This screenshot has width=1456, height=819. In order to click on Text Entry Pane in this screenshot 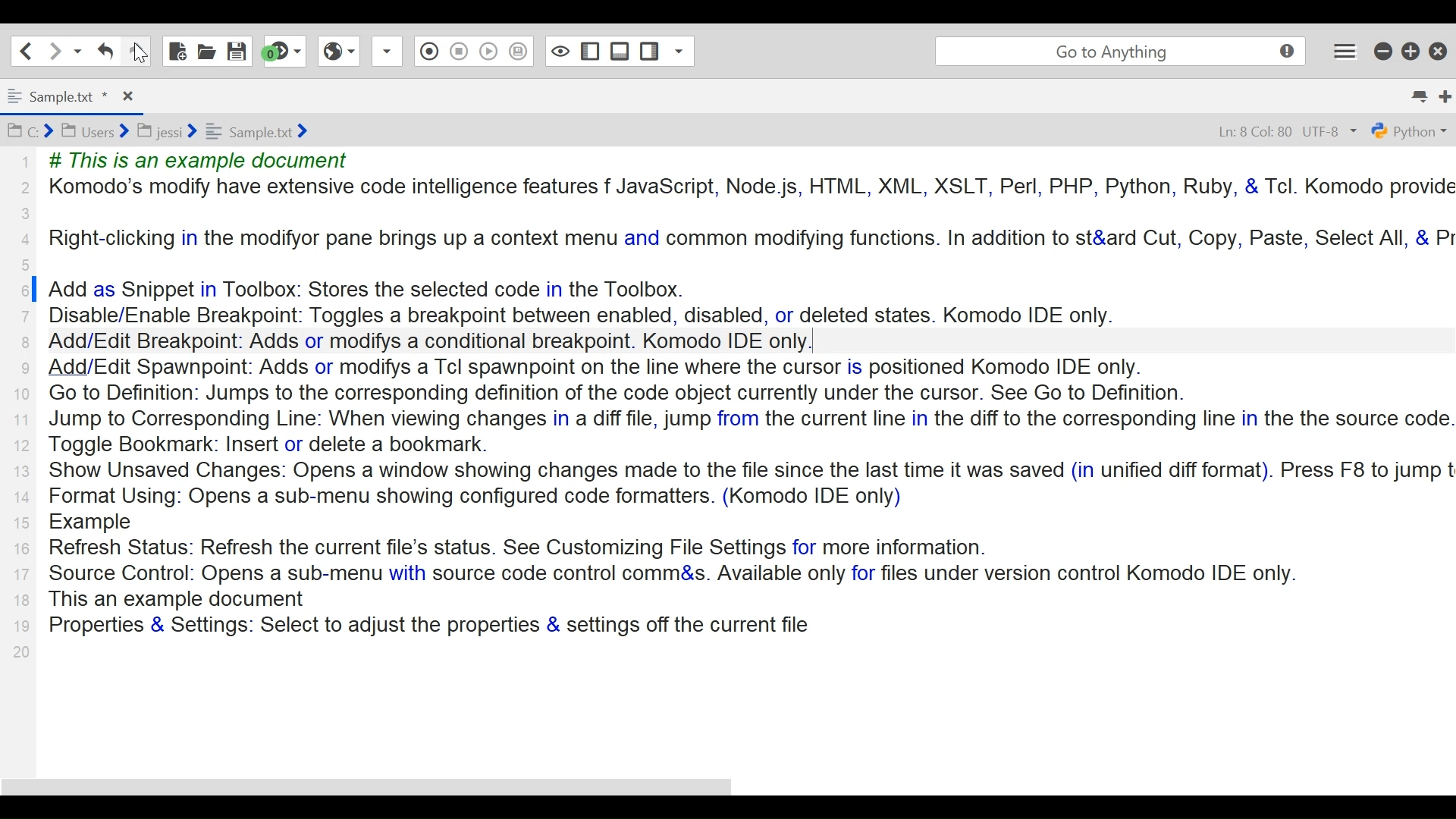, I will do `click(752, 404)`.